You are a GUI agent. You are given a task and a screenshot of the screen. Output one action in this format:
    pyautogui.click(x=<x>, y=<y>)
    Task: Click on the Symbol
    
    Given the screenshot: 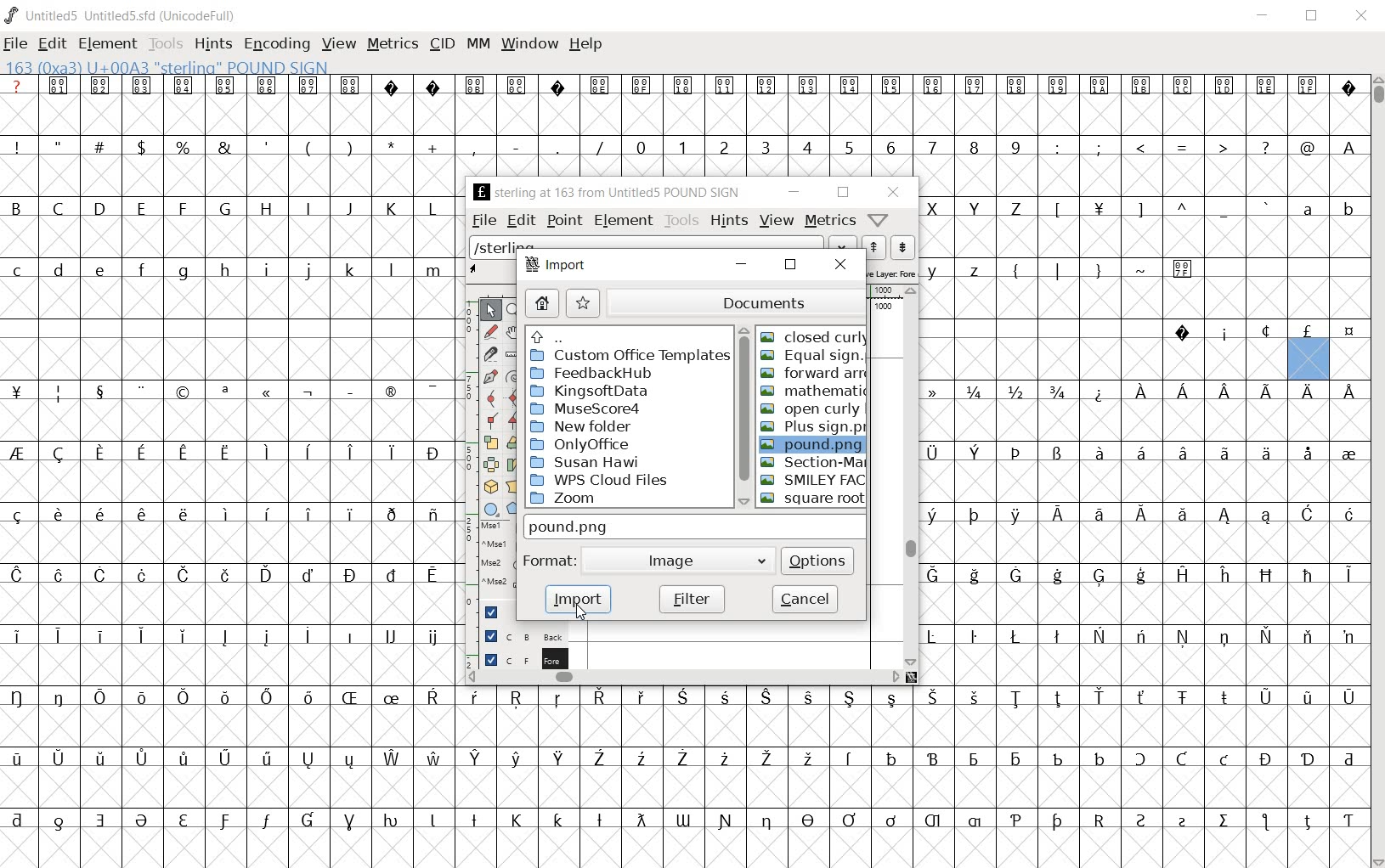 What is the action you would take?
    pyautogui.click(x=184, y=392)
    